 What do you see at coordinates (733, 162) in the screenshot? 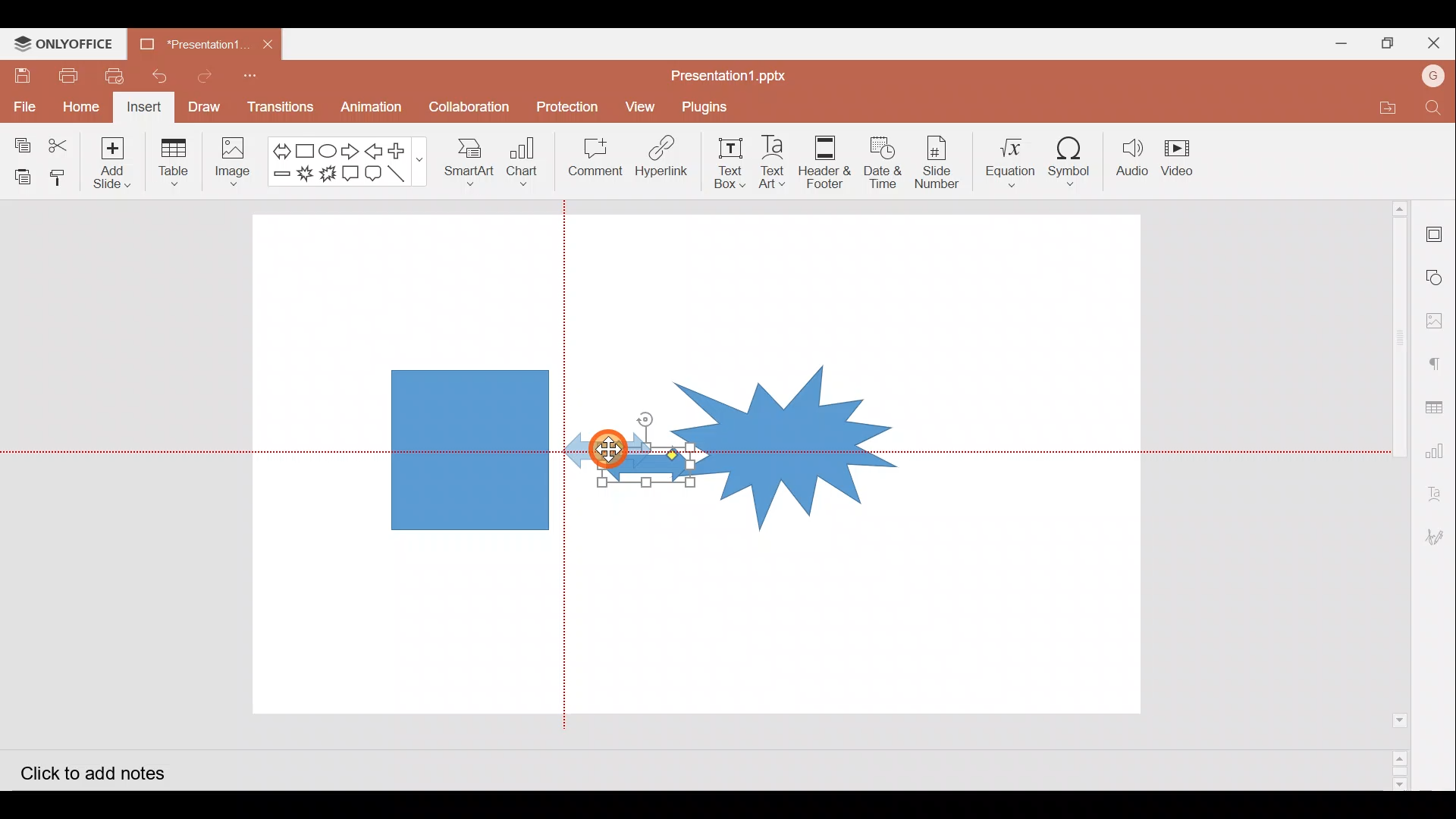
I see `Text box` at bounding box center [733, 162].